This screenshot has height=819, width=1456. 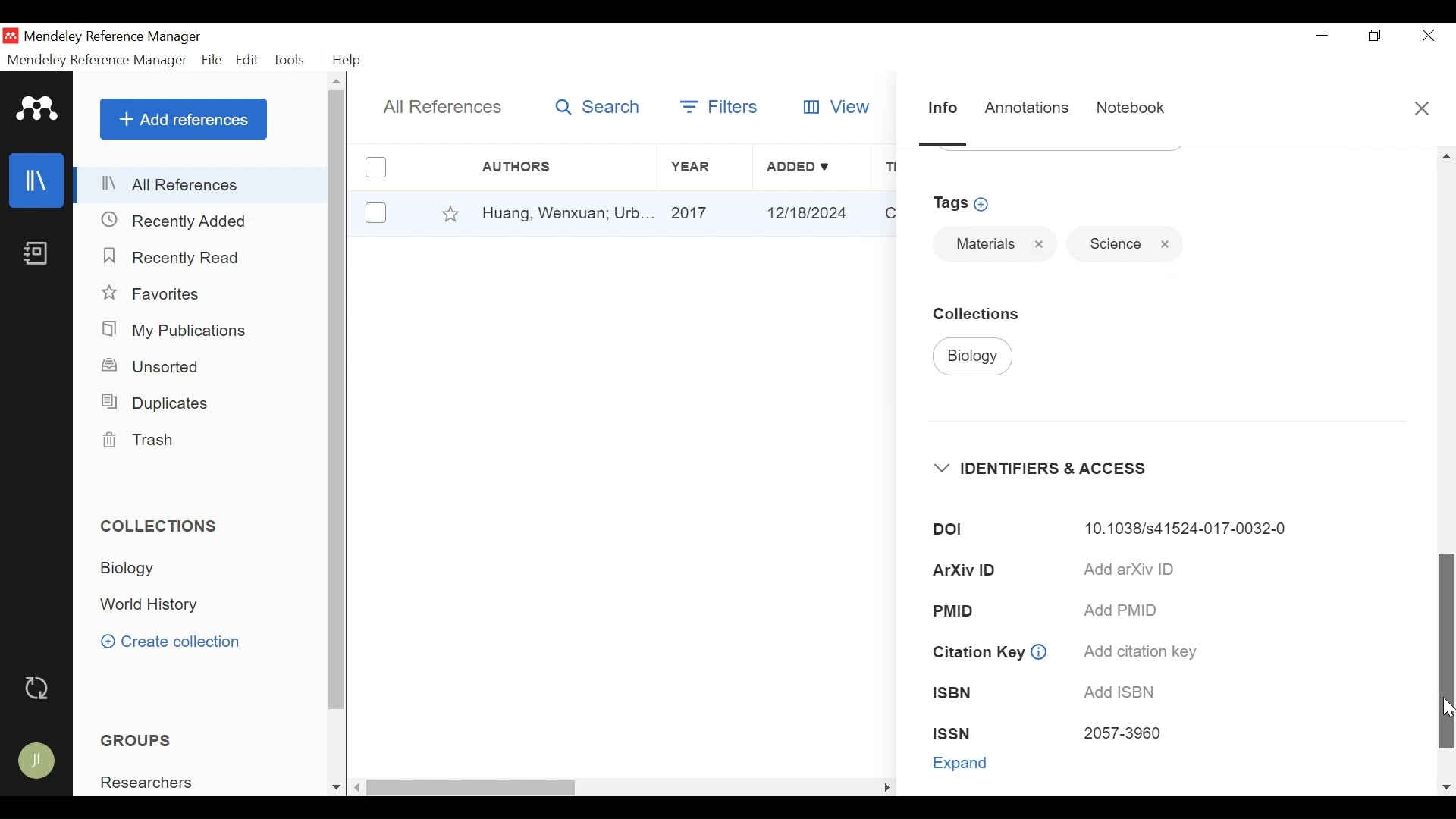 I want to click on (un)select, so click(x=375, y=212).